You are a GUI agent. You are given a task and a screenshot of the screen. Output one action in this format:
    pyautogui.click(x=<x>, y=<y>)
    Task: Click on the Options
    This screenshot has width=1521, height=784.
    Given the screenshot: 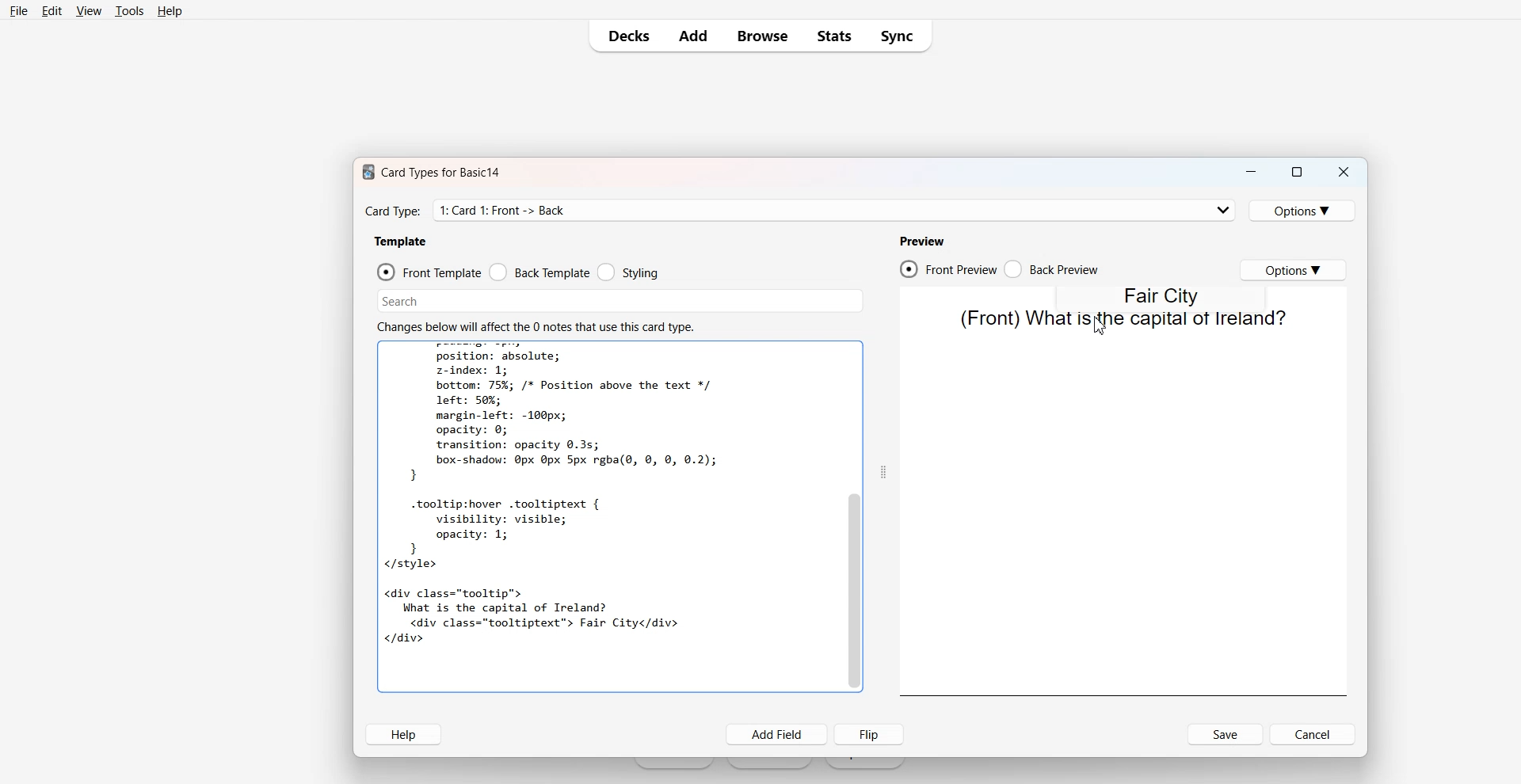 What is the action you would take?
    pyautogui.click(x=1302, y=211)
    